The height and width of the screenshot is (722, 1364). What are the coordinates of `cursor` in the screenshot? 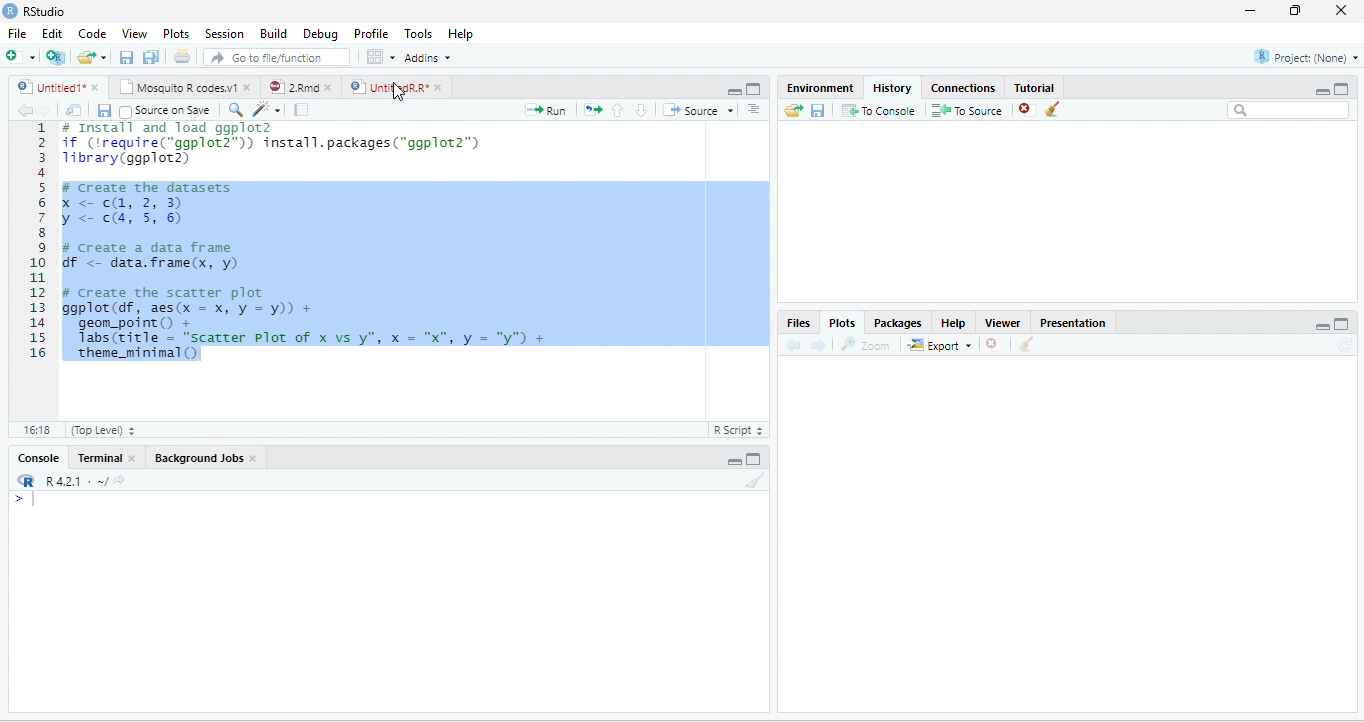 It's located at (399, 91).